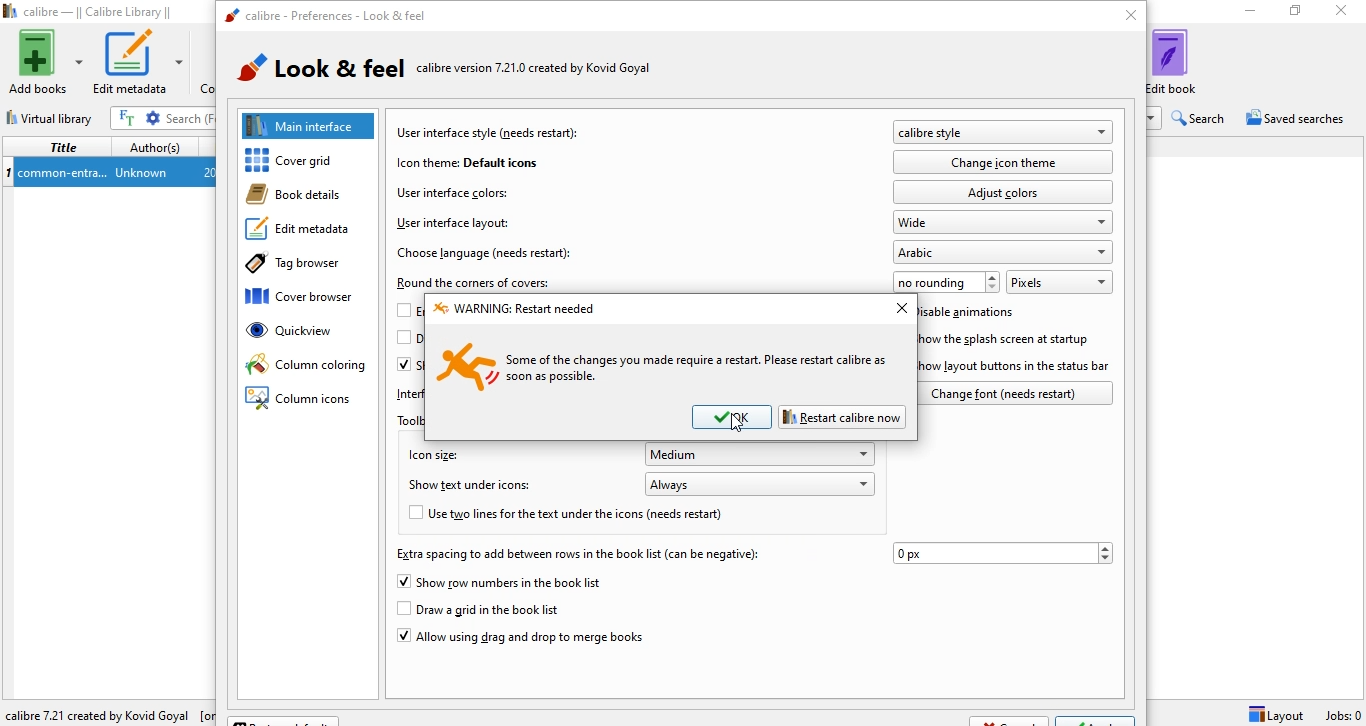  What do you see at coordinates (474, 487) in the screenshot?
I see `show text under icons` at bounding box center [474, 487].